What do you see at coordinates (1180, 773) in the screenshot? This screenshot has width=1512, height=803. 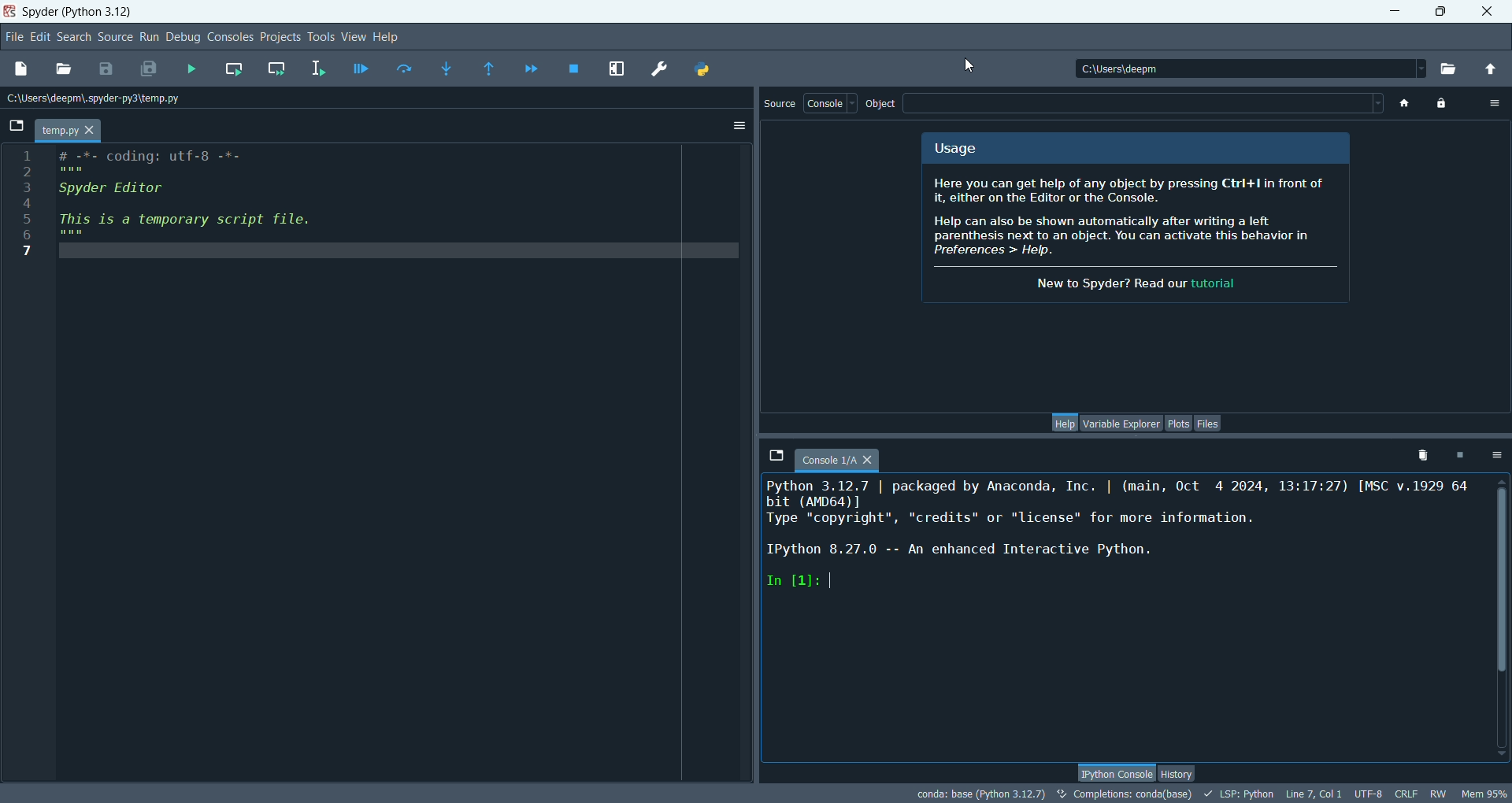 I see `history` at bounding box center [1180, 773].